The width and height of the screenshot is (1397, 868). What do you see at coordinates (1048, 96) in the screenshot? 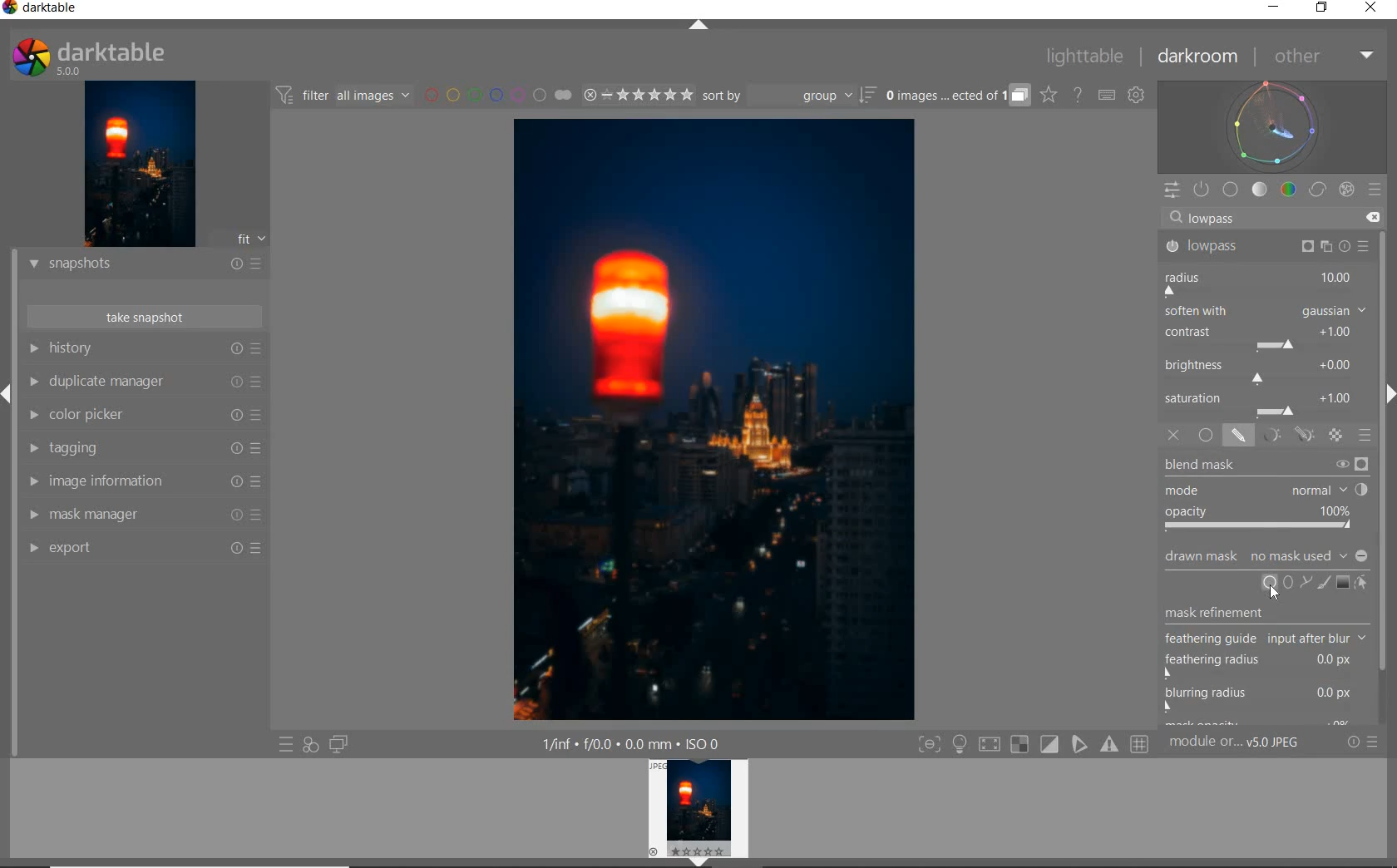
I see `CLICK TO CHANGE THE OVERLAYS SHOWN ON THUMBNAILS` at bounding box center [1048, 96].